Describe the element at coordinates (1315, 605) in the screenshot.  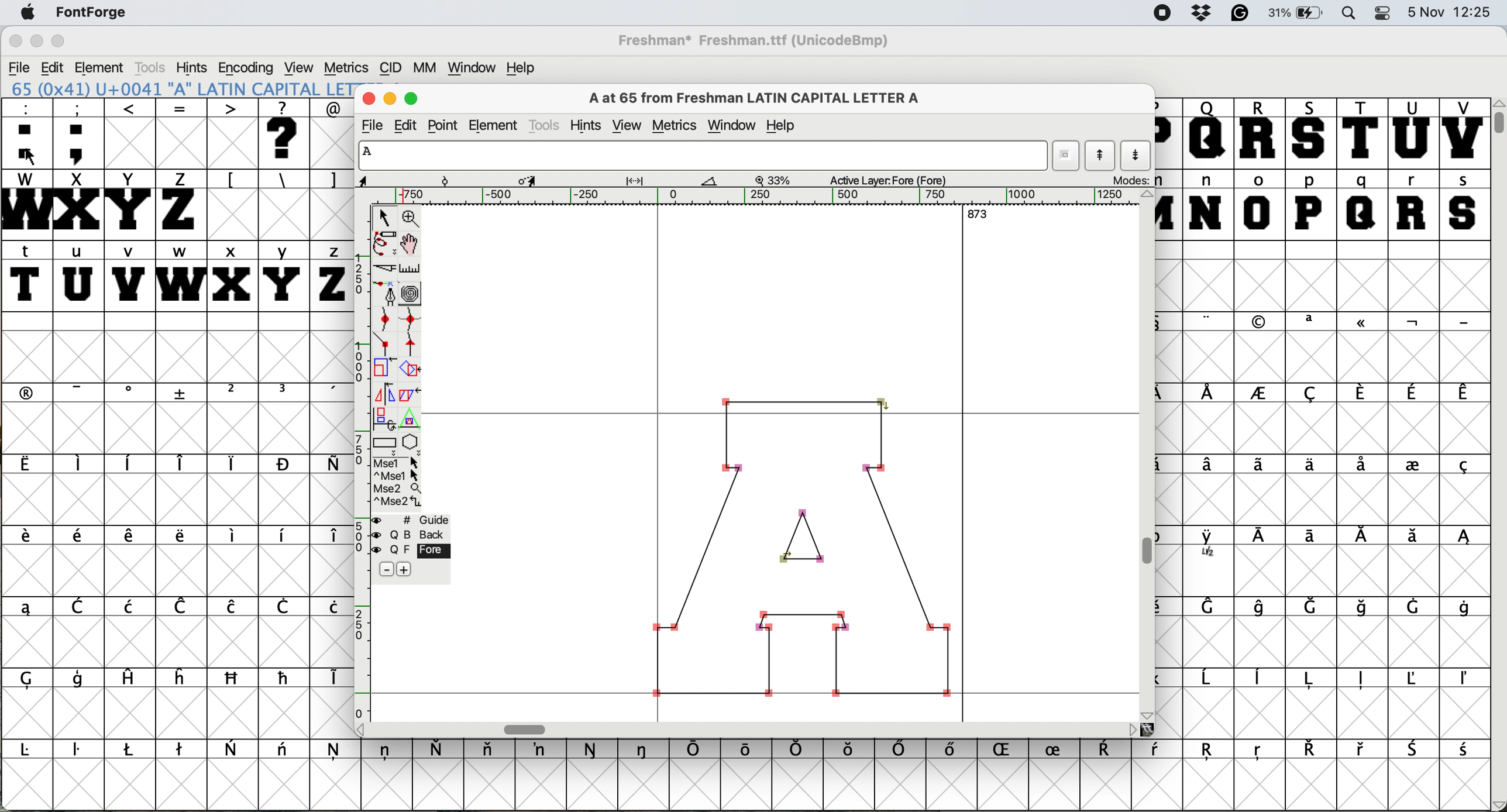
I see `symbol` at that location.